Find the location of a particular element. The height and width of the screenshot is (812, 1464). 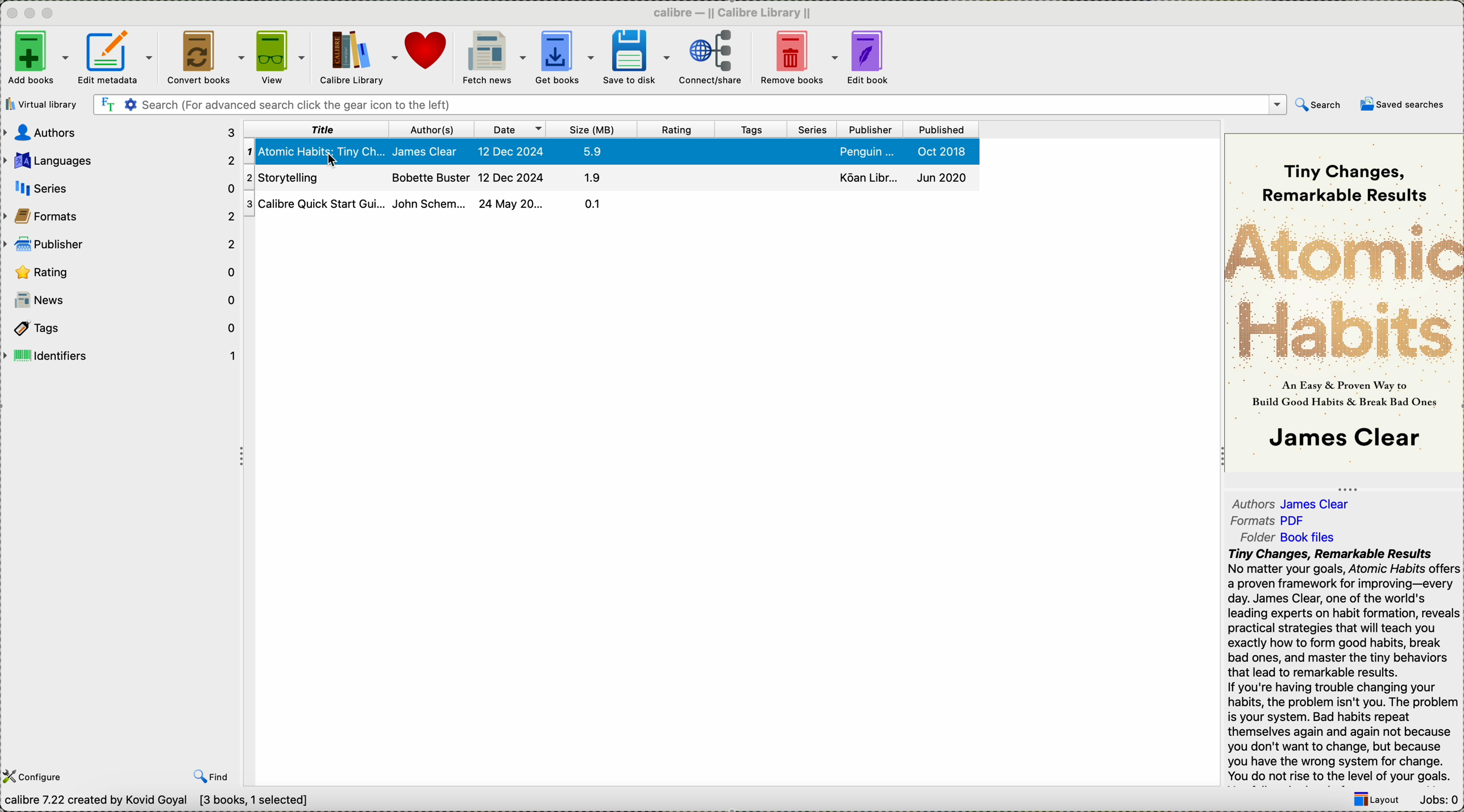

connect/share is located at coordinates (711, 60).